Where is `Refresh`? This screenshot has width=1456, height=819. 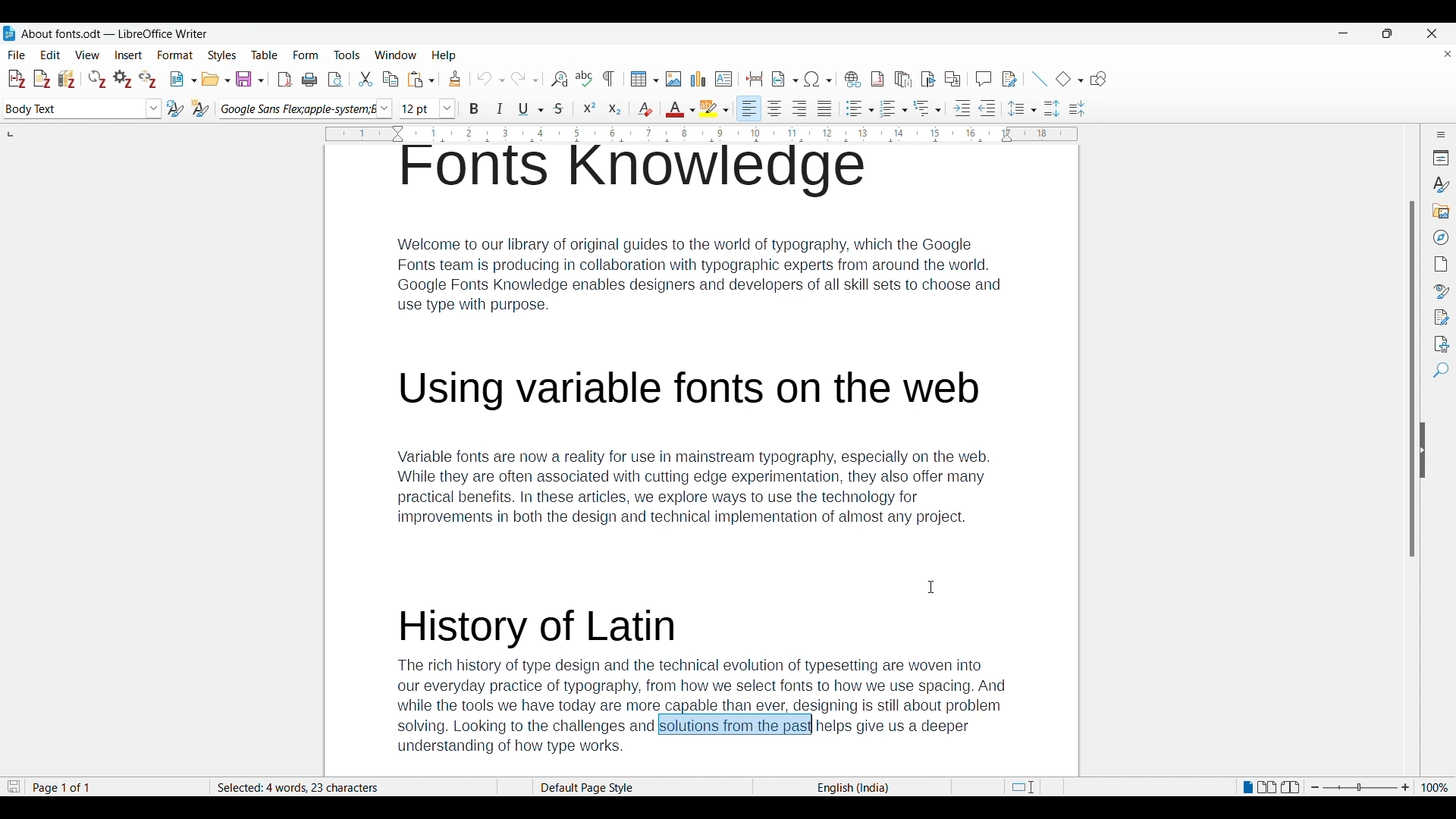 Refresh is located at coordinates (97, 79).